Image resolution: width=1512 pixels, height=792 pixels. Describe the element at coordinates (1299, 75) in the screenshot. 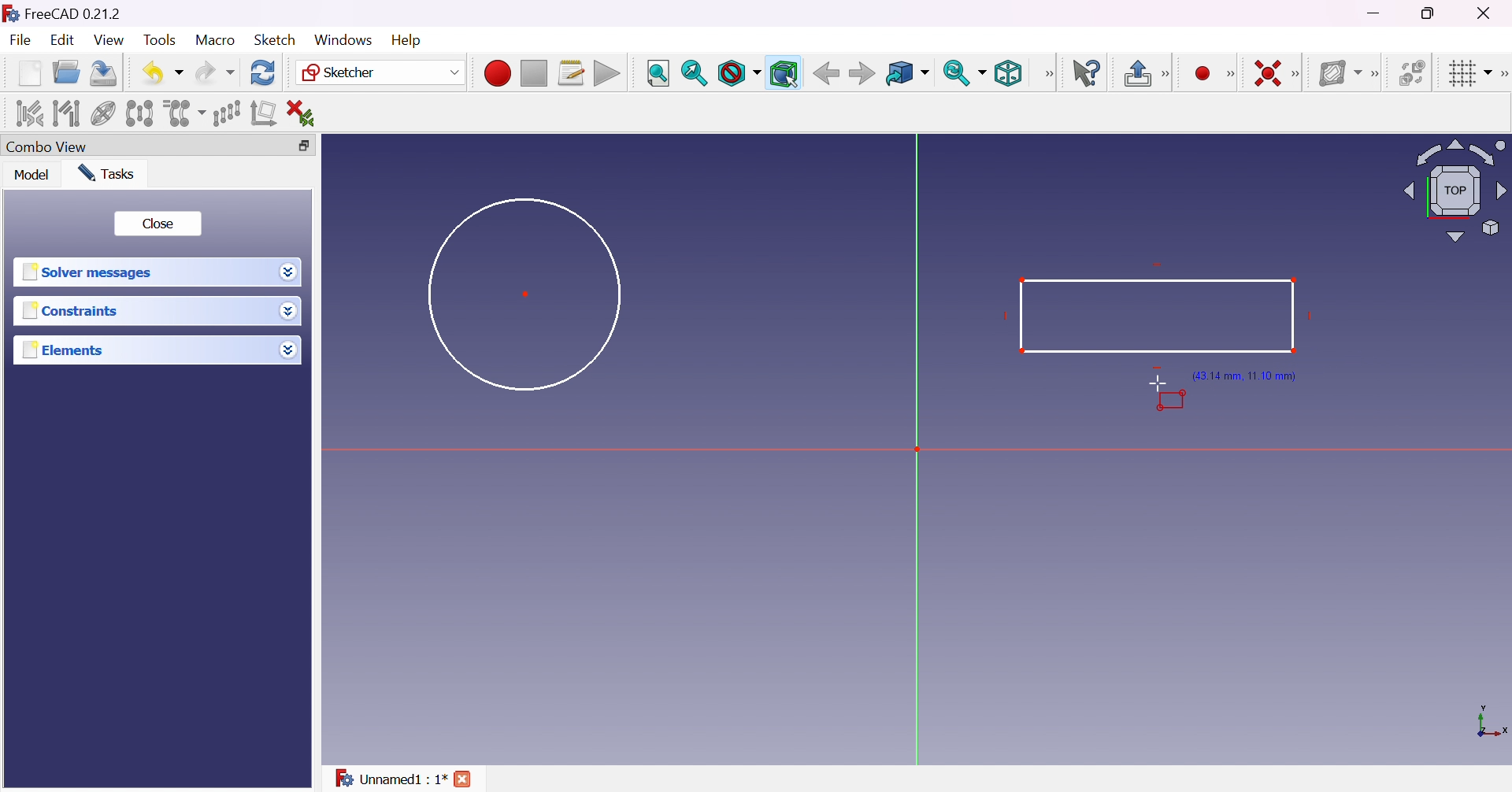

I see `[Sketcher constraints]` at that location.